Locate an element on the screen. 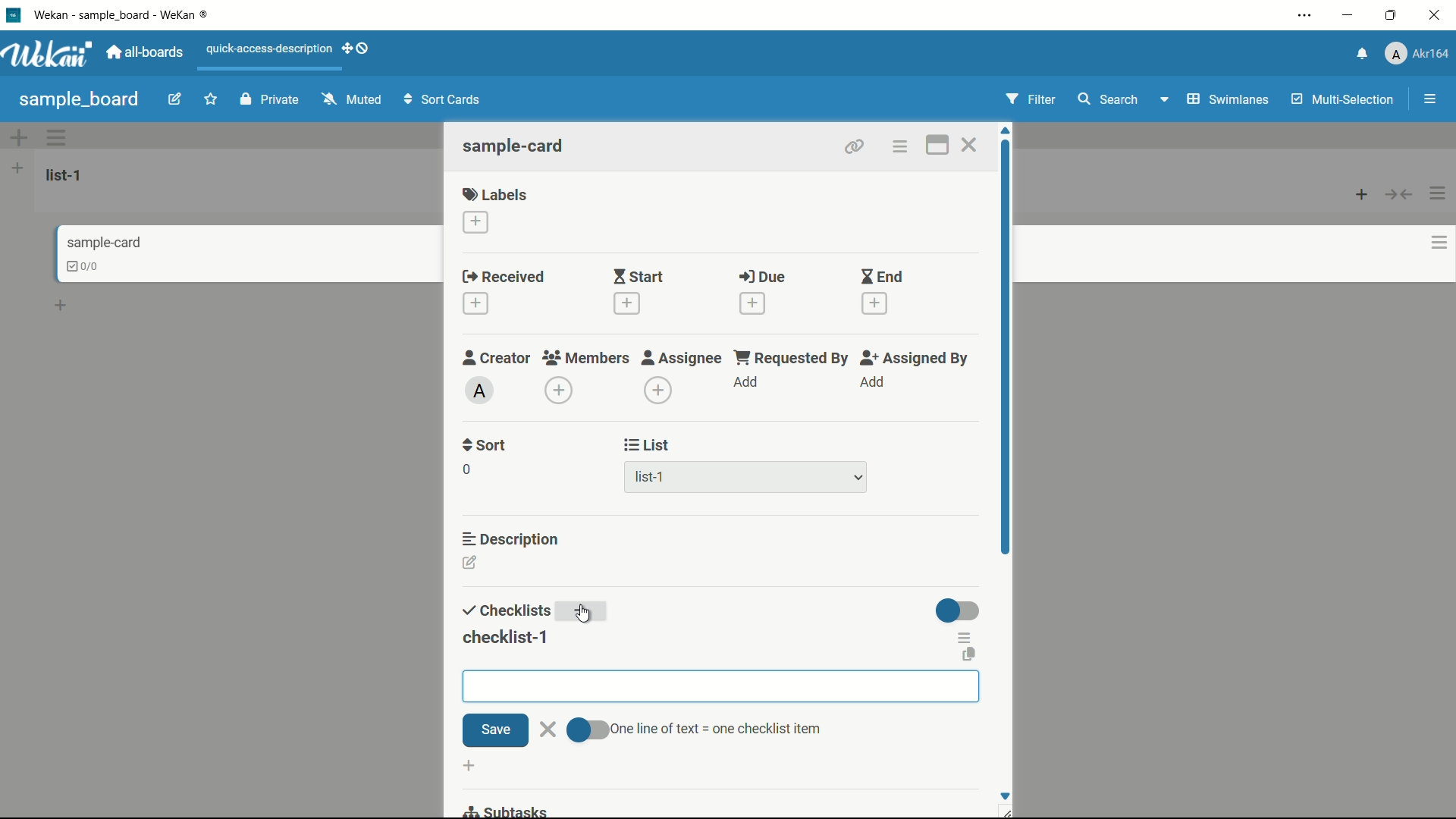  list actions is located at coordinates (1439, 193).